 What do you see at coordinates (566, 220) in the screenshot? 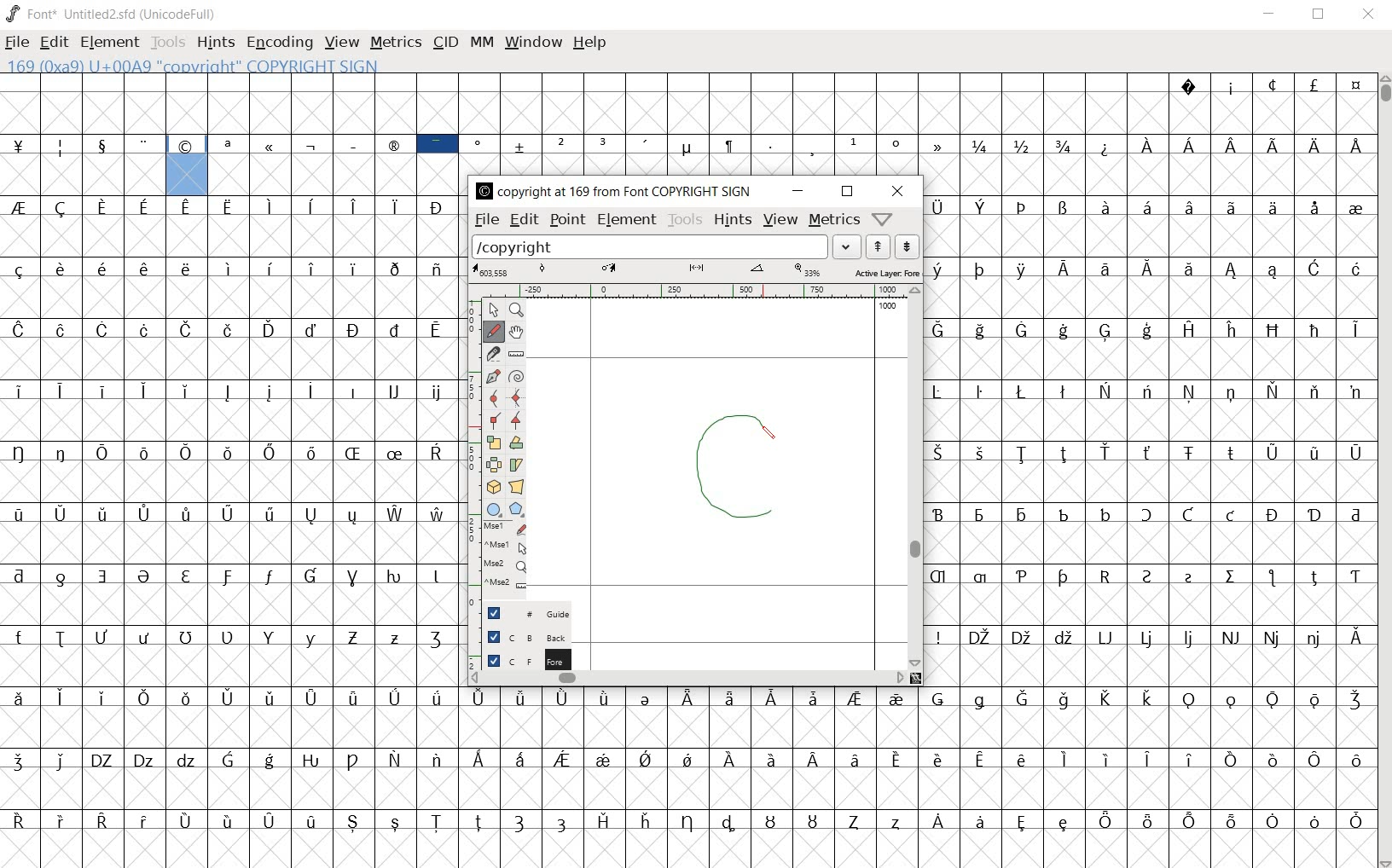
I see `point` at bounding box center [566, 220].